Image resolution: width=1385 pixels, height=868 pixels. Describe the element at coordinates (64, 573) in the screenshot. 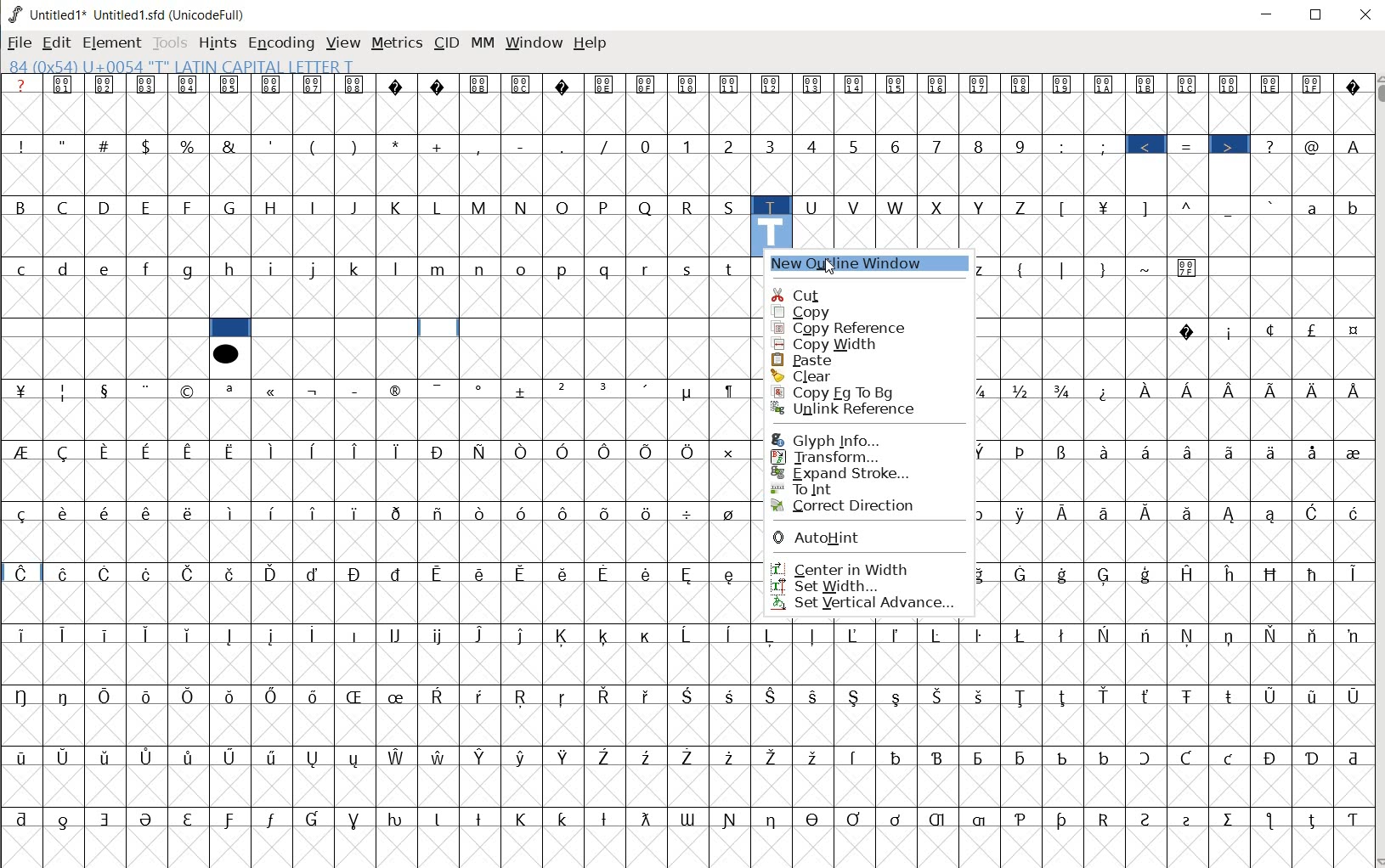

I see `Symbol` at that location.